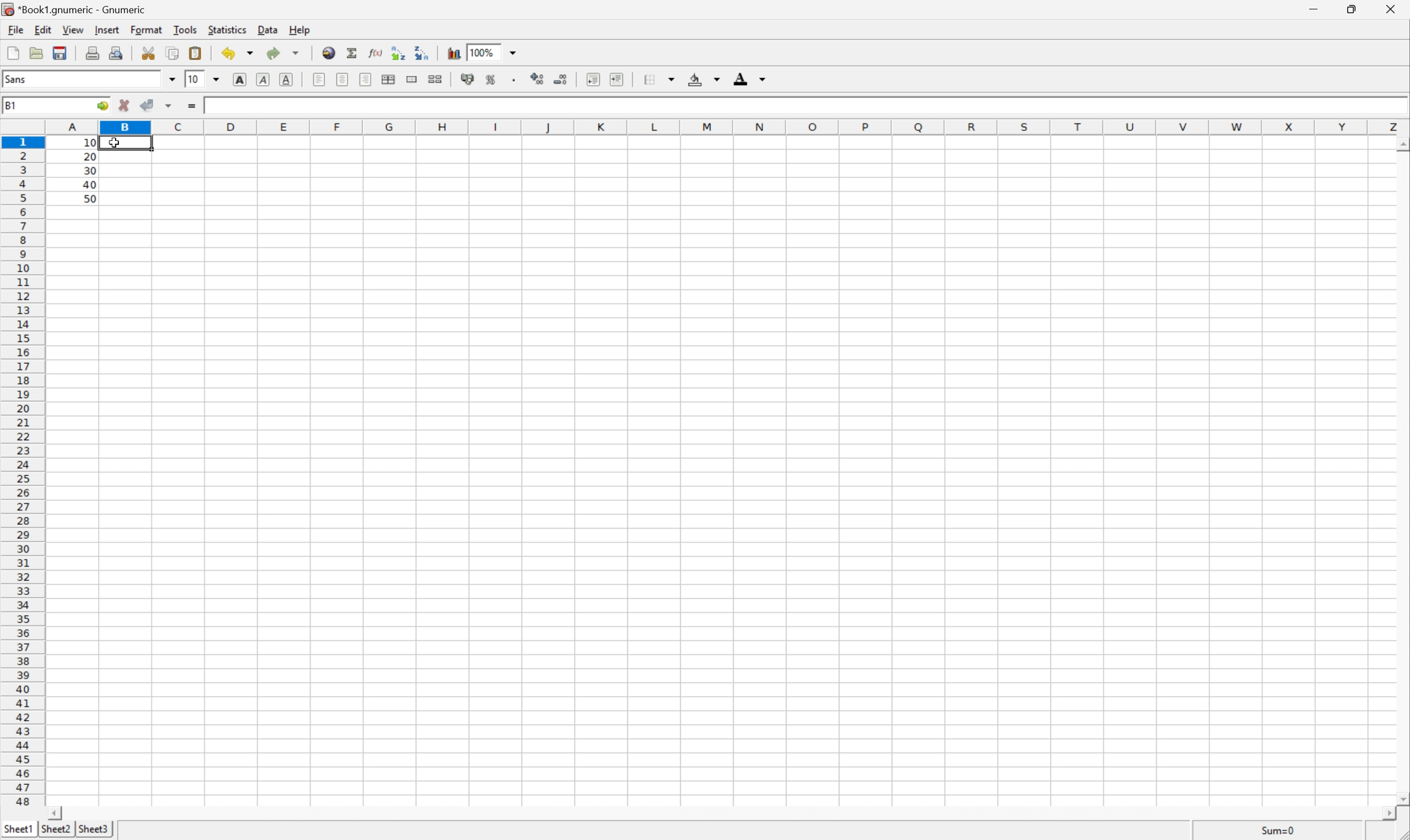 Image resolution: width=1410 pixels, height=840 pixels. I want to click on Edit a function in current cell, so click(378, 52).